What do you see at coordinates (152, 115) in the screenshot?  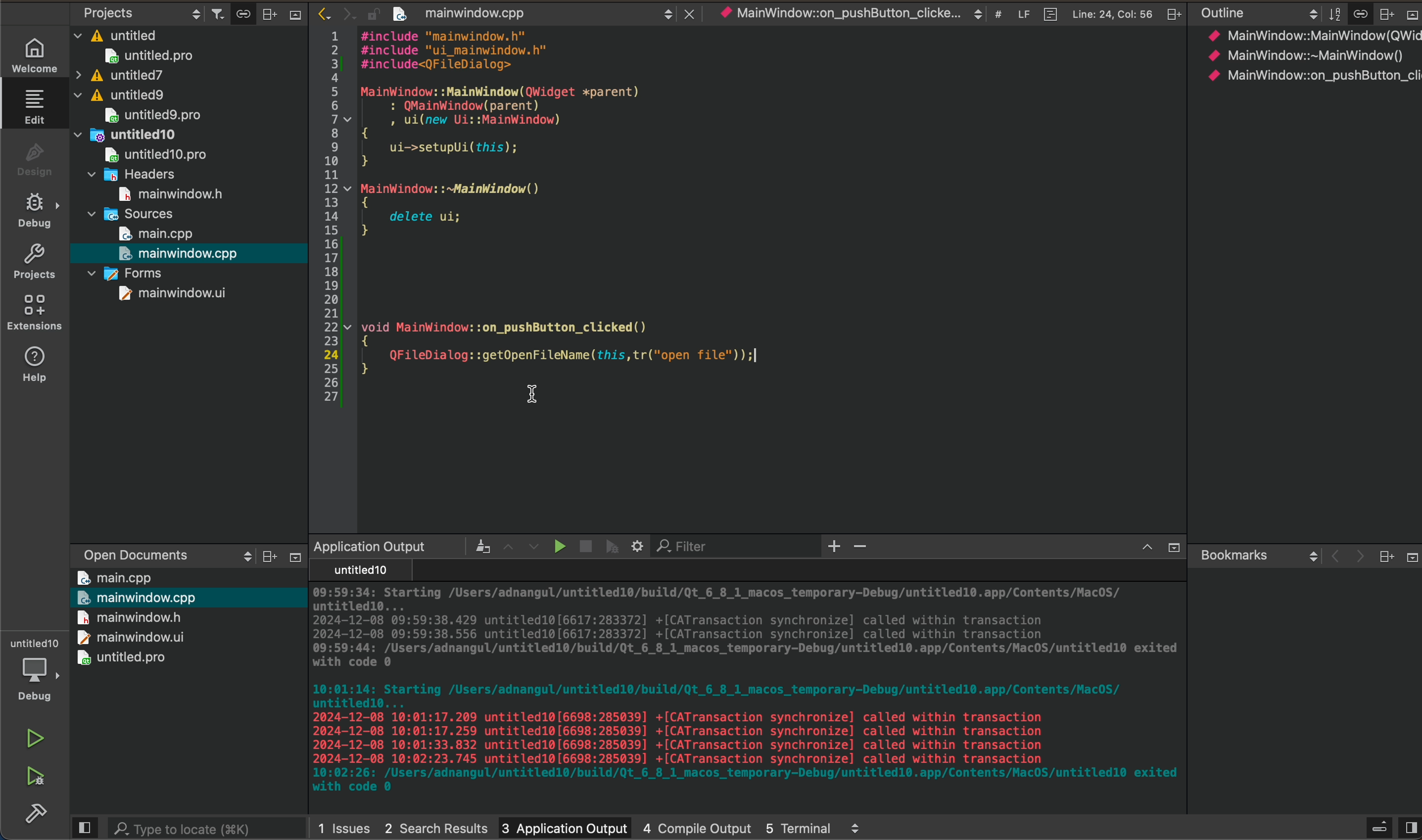 I see `untitled9.pro` at bounding box center [152, 115].